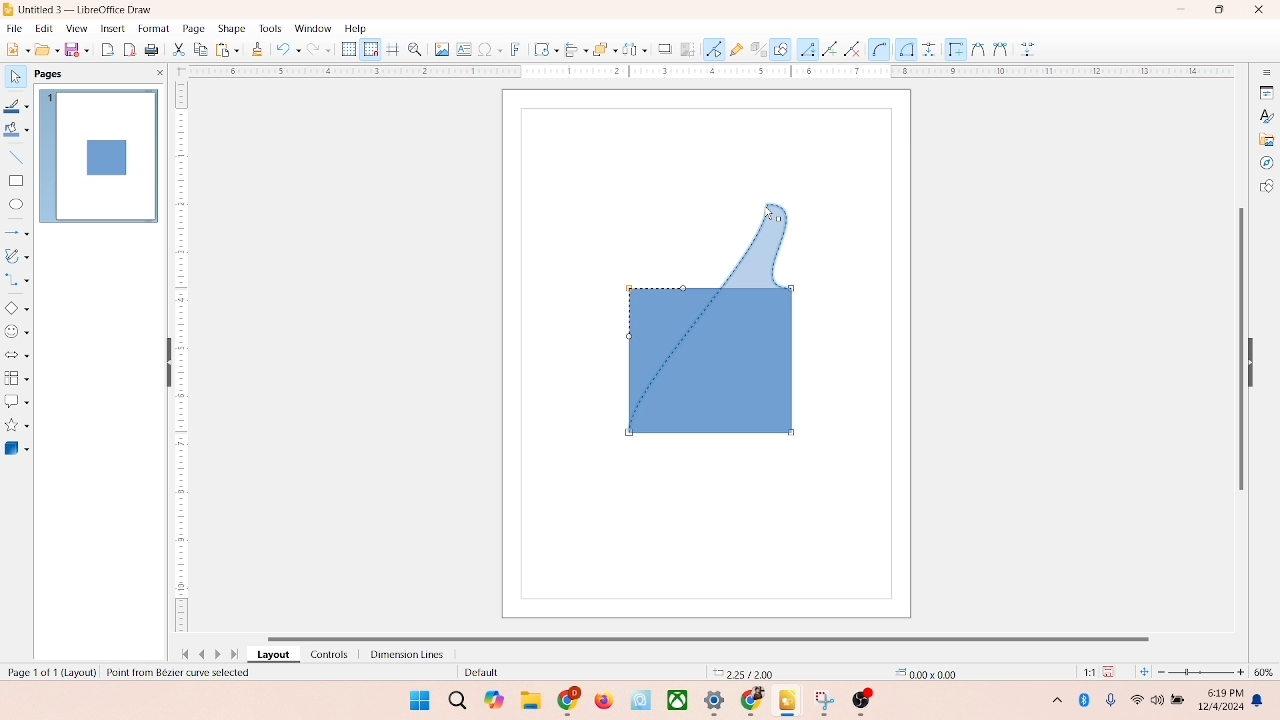  Describe the element at coordinates (1219, 697) in the screenshot. I see `time and date` at that location.